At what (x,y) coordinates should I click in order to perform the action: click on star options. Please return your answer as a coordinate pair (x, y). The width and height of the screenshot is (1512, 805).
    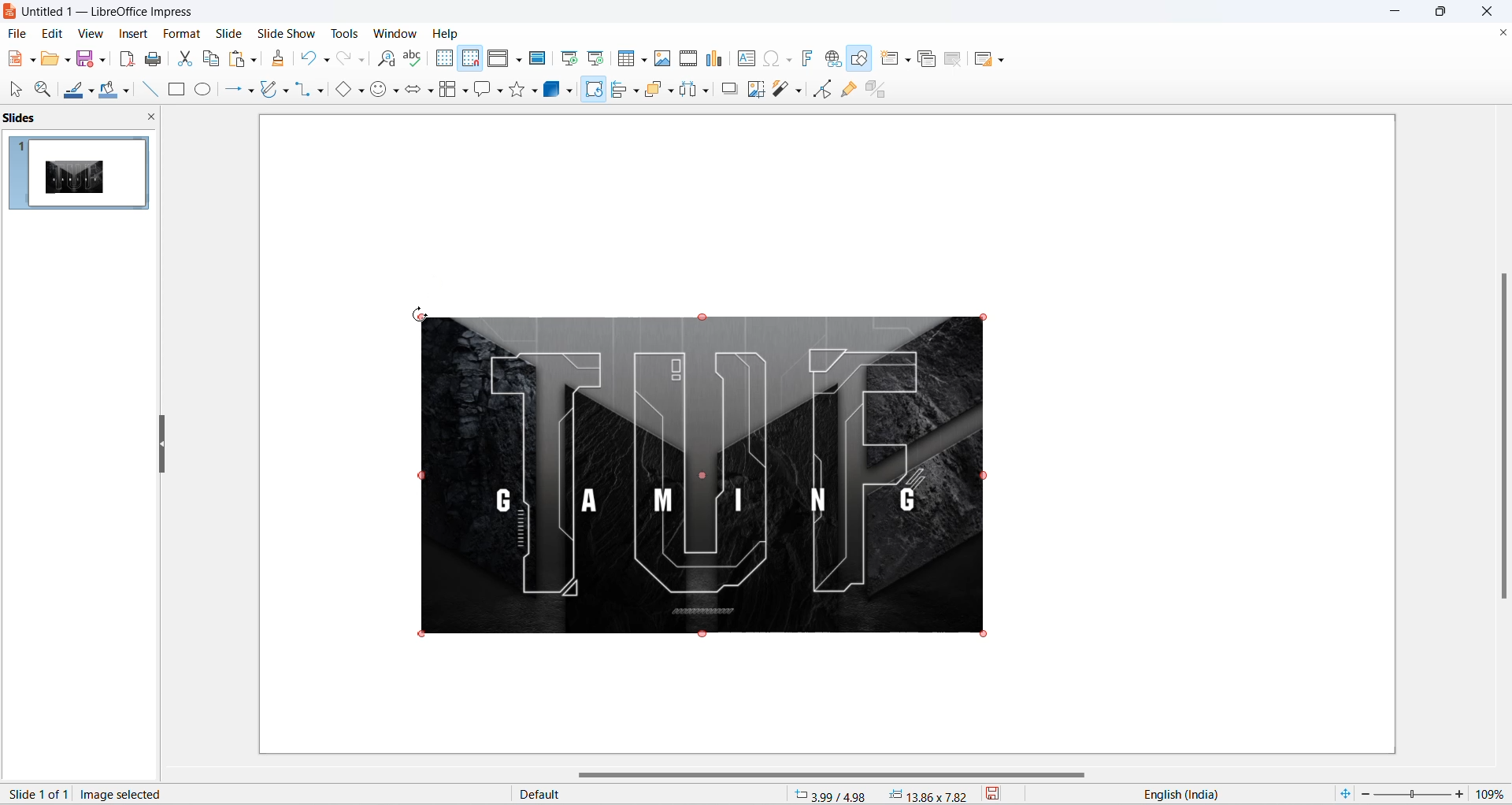
    Looking at the image, I should click on (536, 91).